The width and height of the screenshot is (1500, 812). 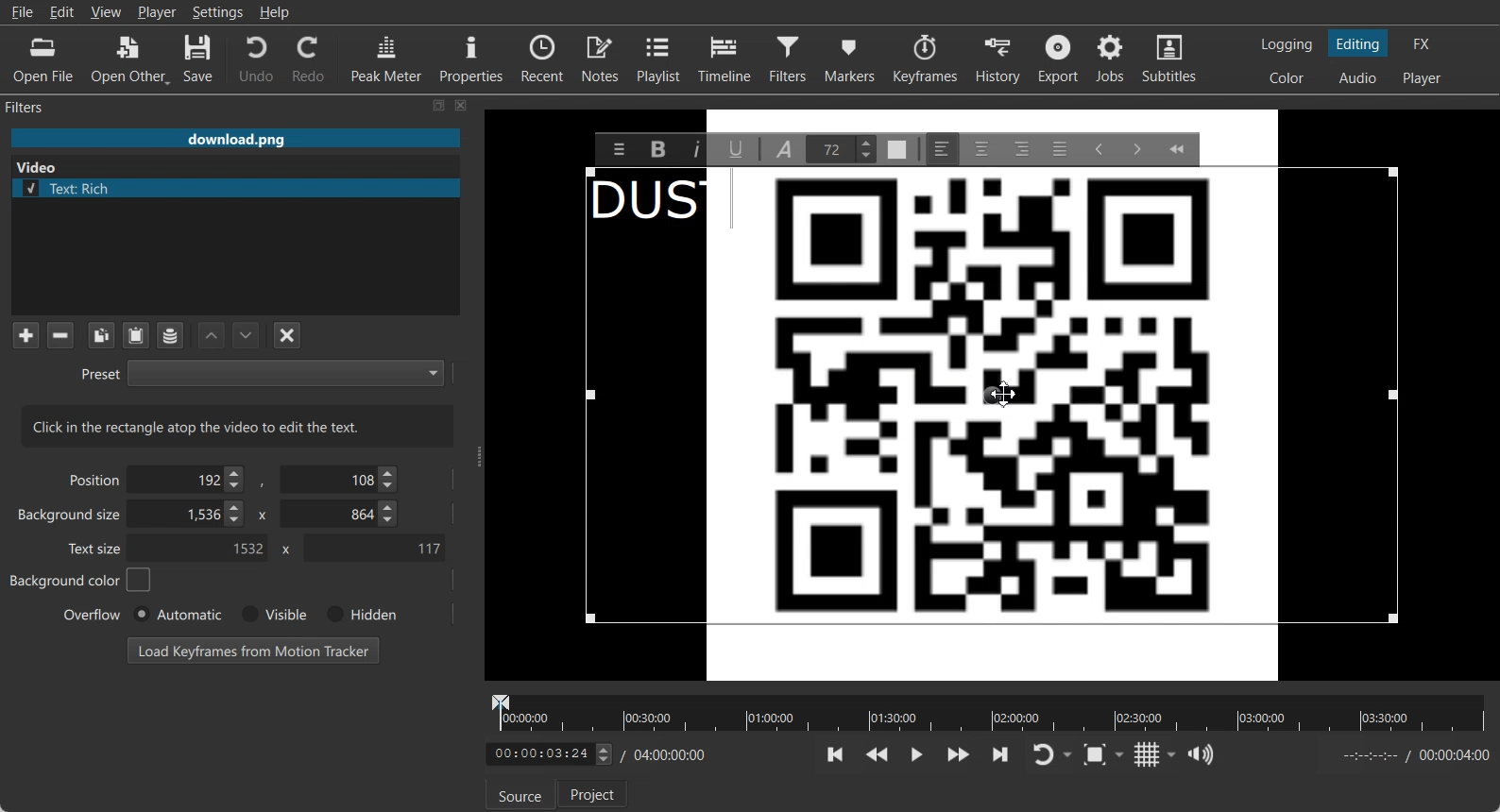 What do you see at coordinates (272, 615) in the screenshot?
I see `Visible` at bounding box center [272, 615].